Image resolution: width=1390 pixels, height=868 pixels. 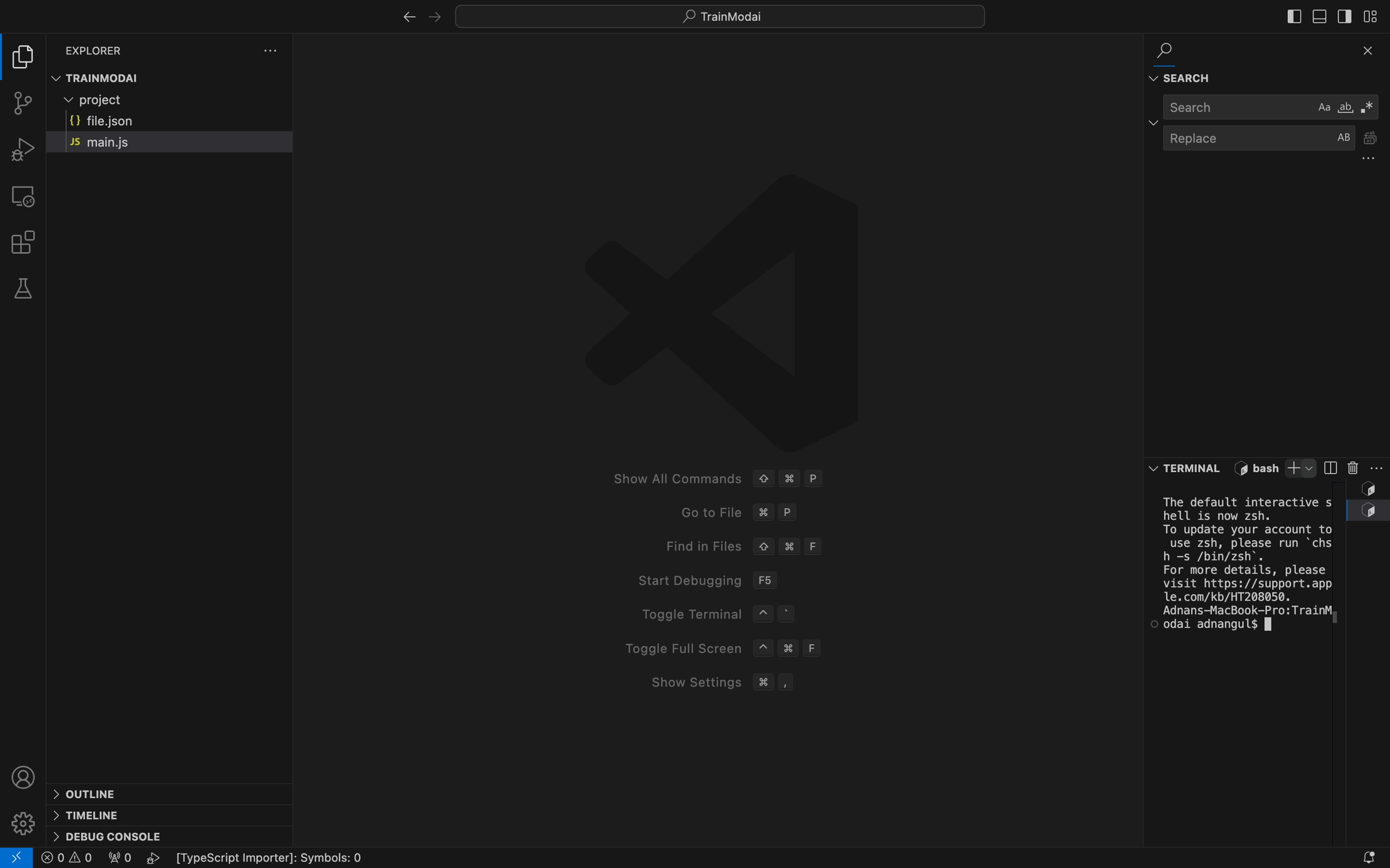 I want to click on terminal settings, so click(x=1380, y=467).